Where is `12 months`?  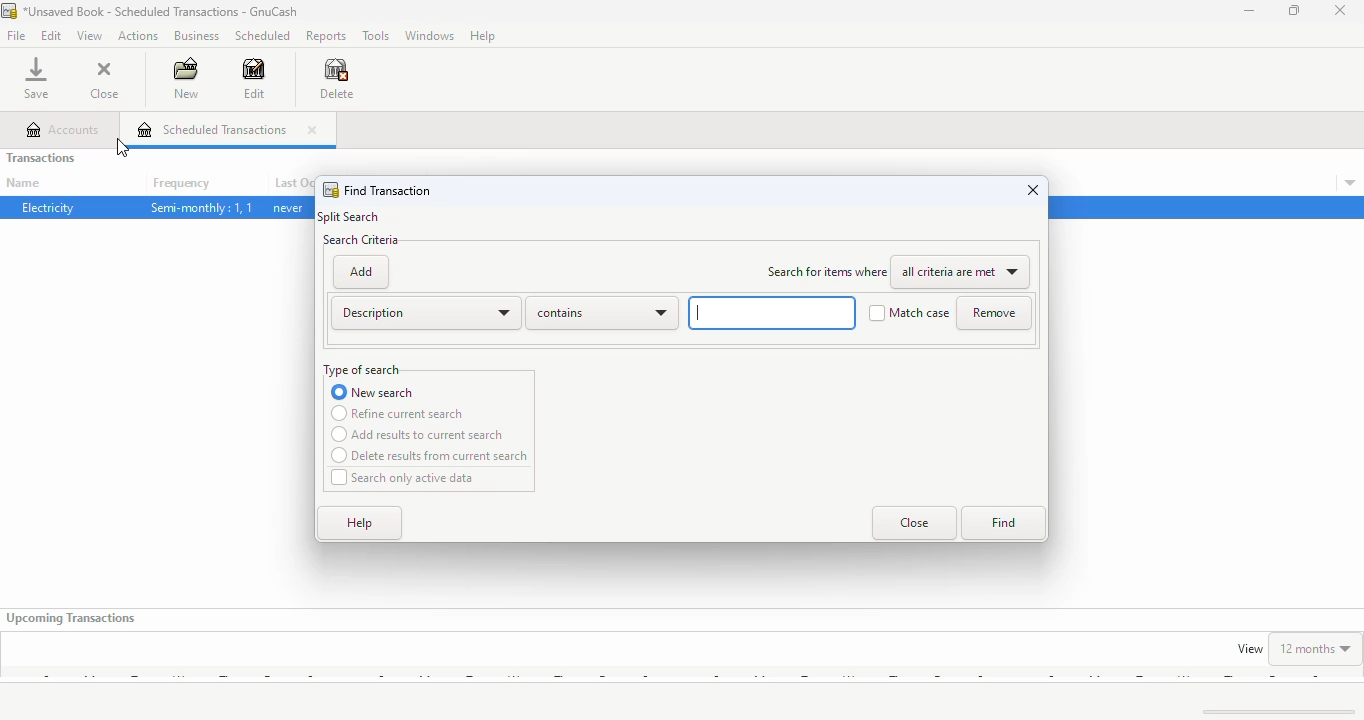
12 months is located at coordinates (1316, 648).